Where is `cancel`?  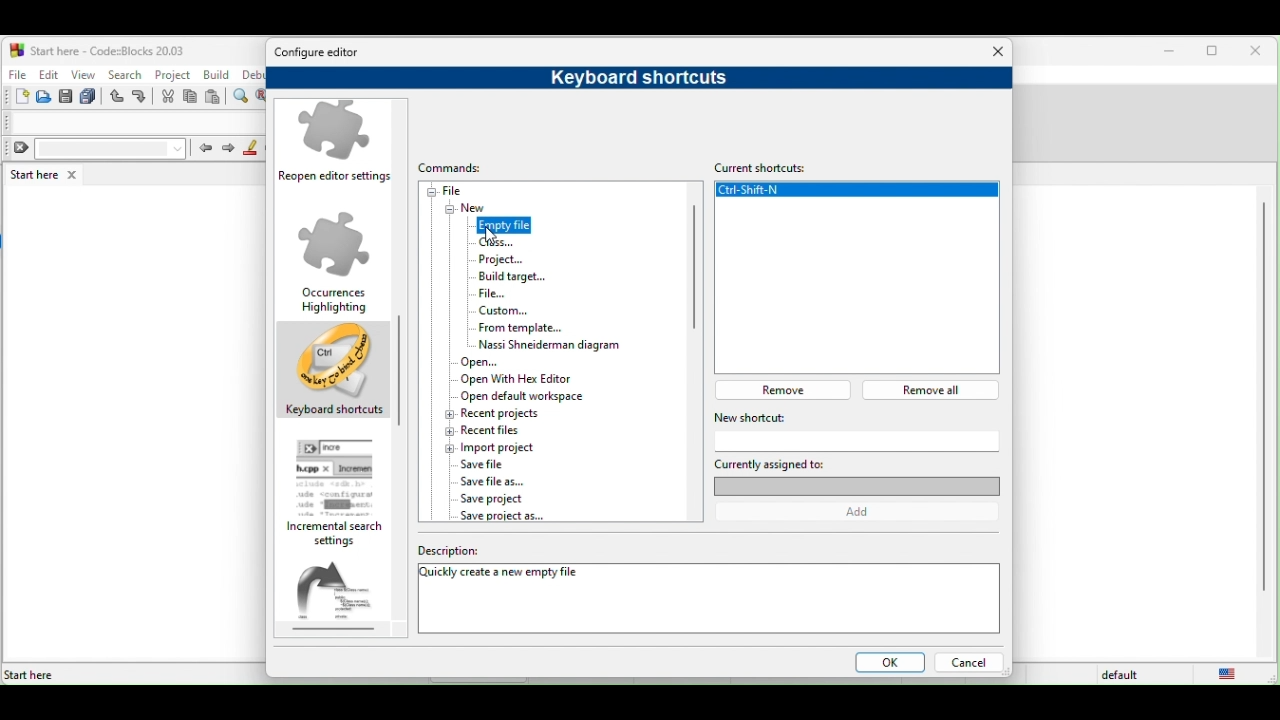 cancel is located at coordinates (968, 664).